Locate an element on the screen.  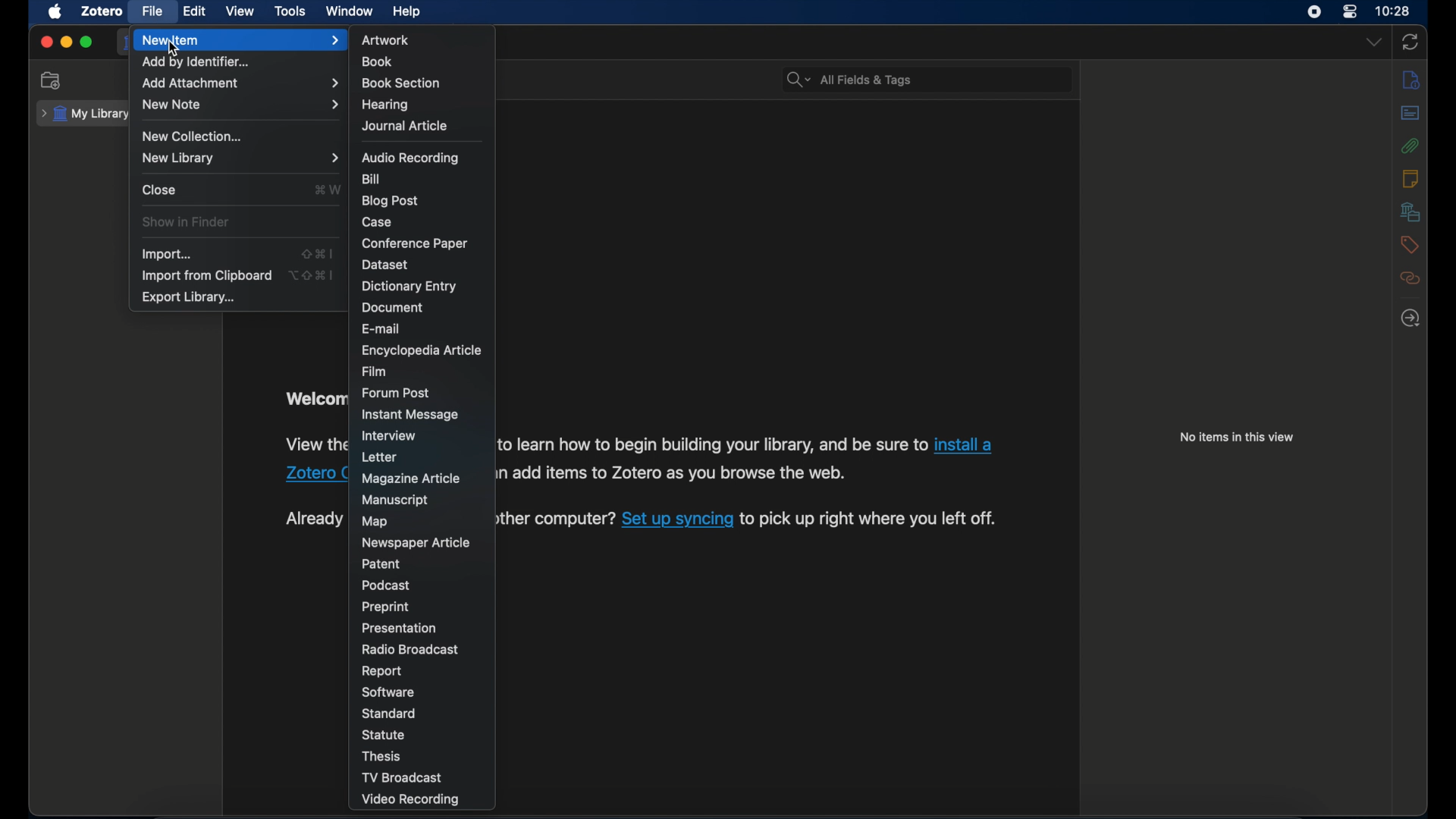
libraries is located at coordinates (1410, 212).